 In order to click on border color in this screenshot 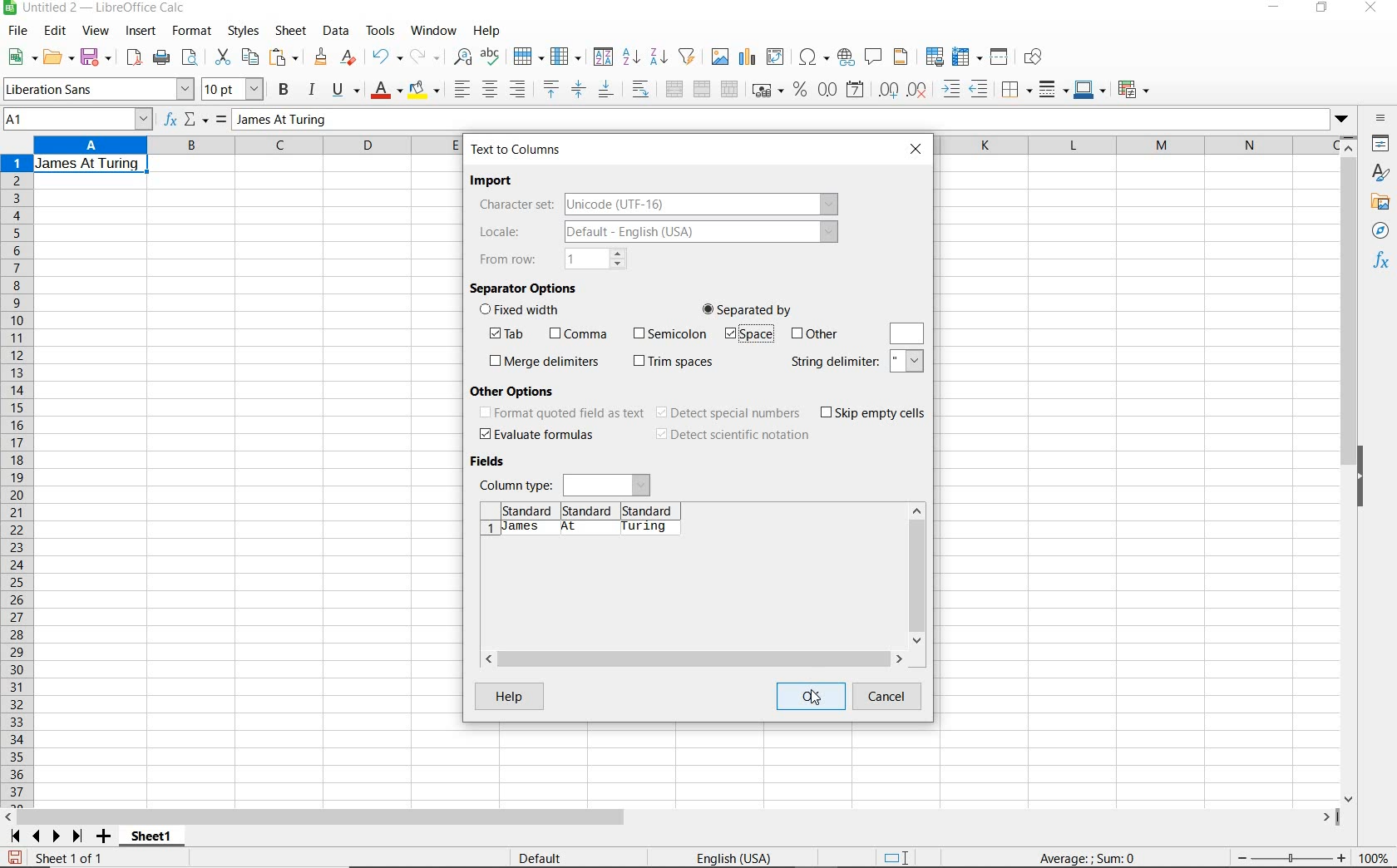, I will do `click(1090, 89)`.